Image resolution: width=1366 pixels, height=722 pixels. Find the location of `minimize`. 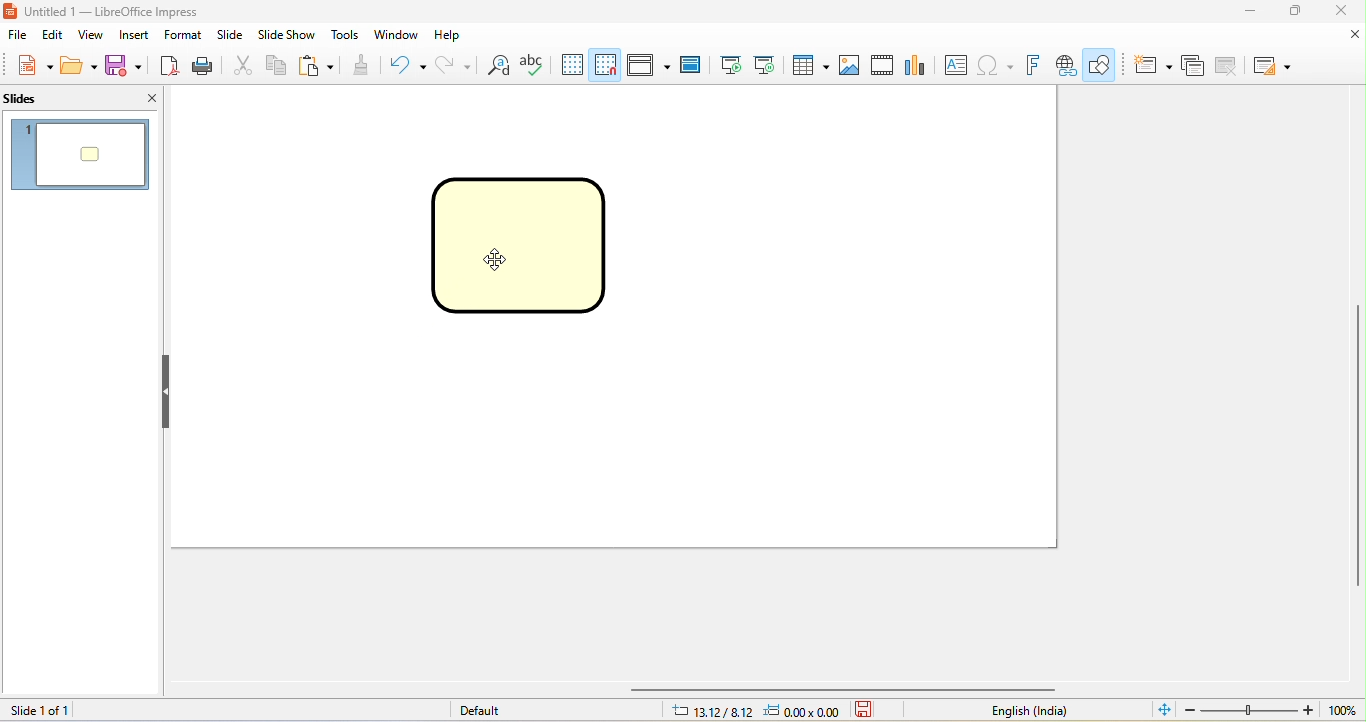

minimize is located at coordinates (1247, 11).